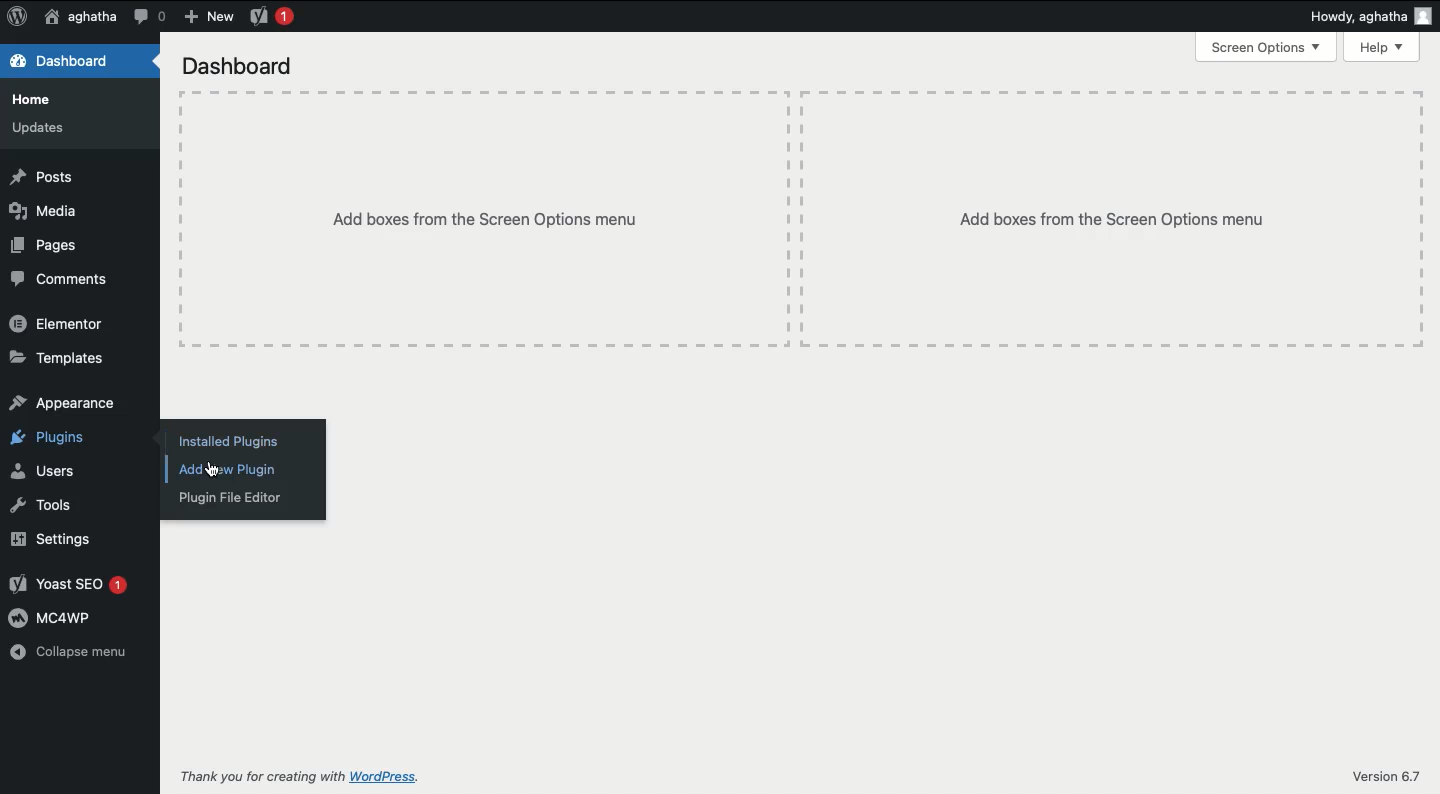 Image resolution: width=1440 pixels, height=794 pixels. What do you see at coordinates (1100, 222) in the screenshot?
I see `Add boxes from the Screen Options menu` at bounding box center [1100, 222].